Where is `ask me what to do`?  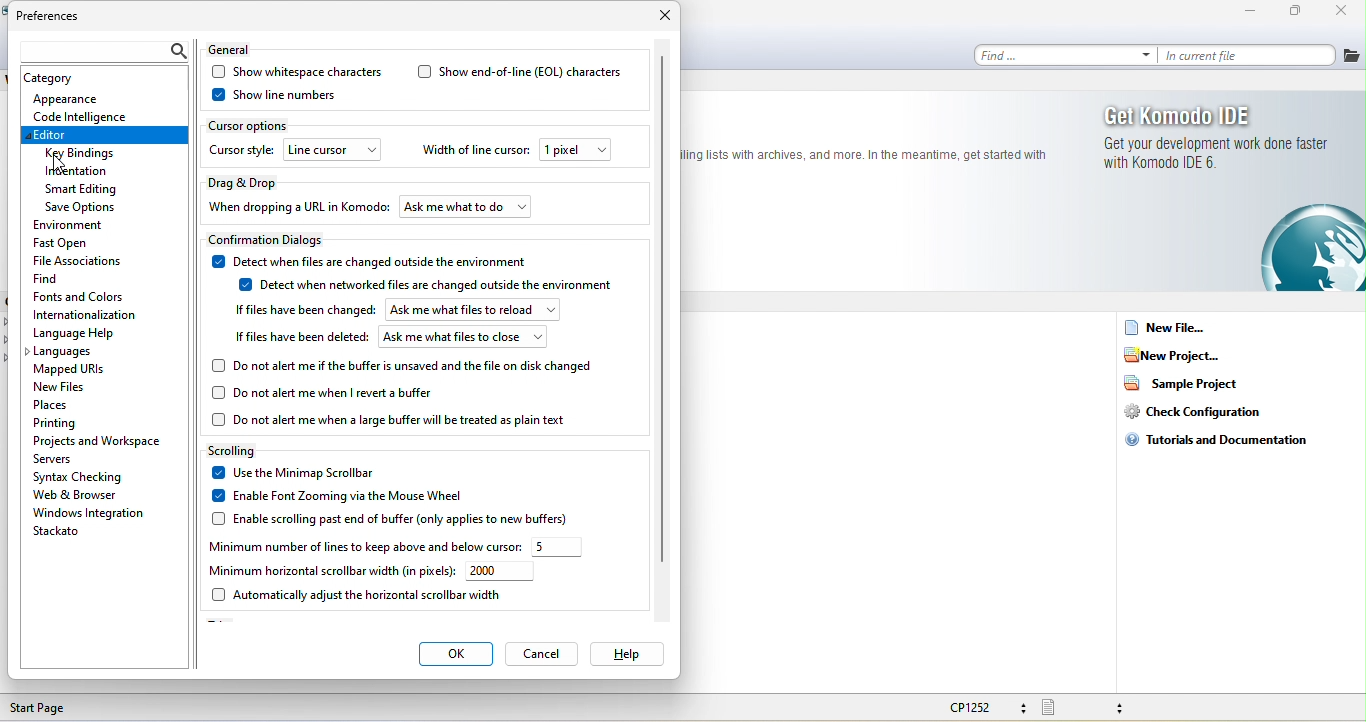 ask me what to do is located at coordinates (467, 205).